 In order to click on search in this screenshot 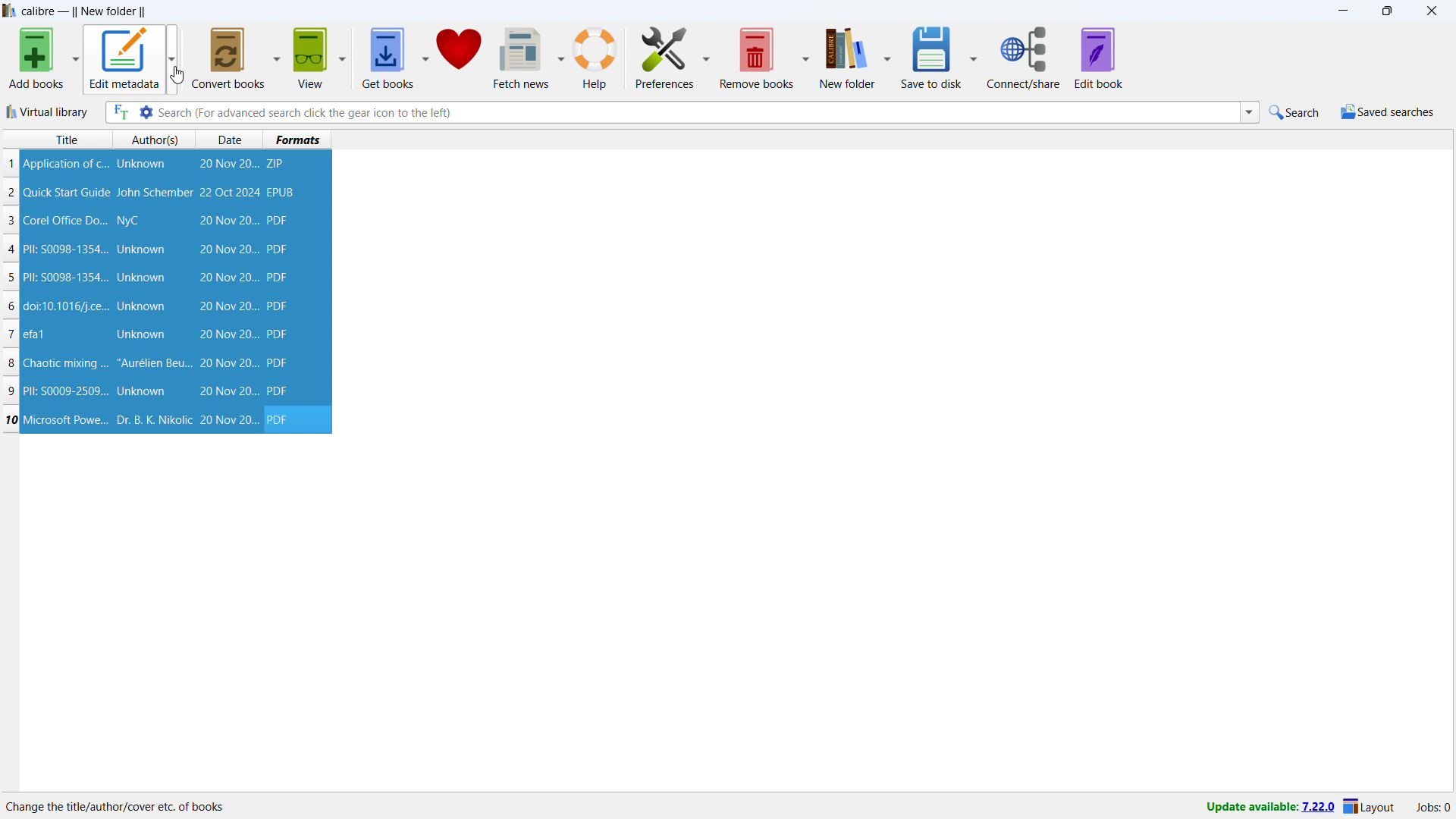, I will do `click(1296, 111)`.